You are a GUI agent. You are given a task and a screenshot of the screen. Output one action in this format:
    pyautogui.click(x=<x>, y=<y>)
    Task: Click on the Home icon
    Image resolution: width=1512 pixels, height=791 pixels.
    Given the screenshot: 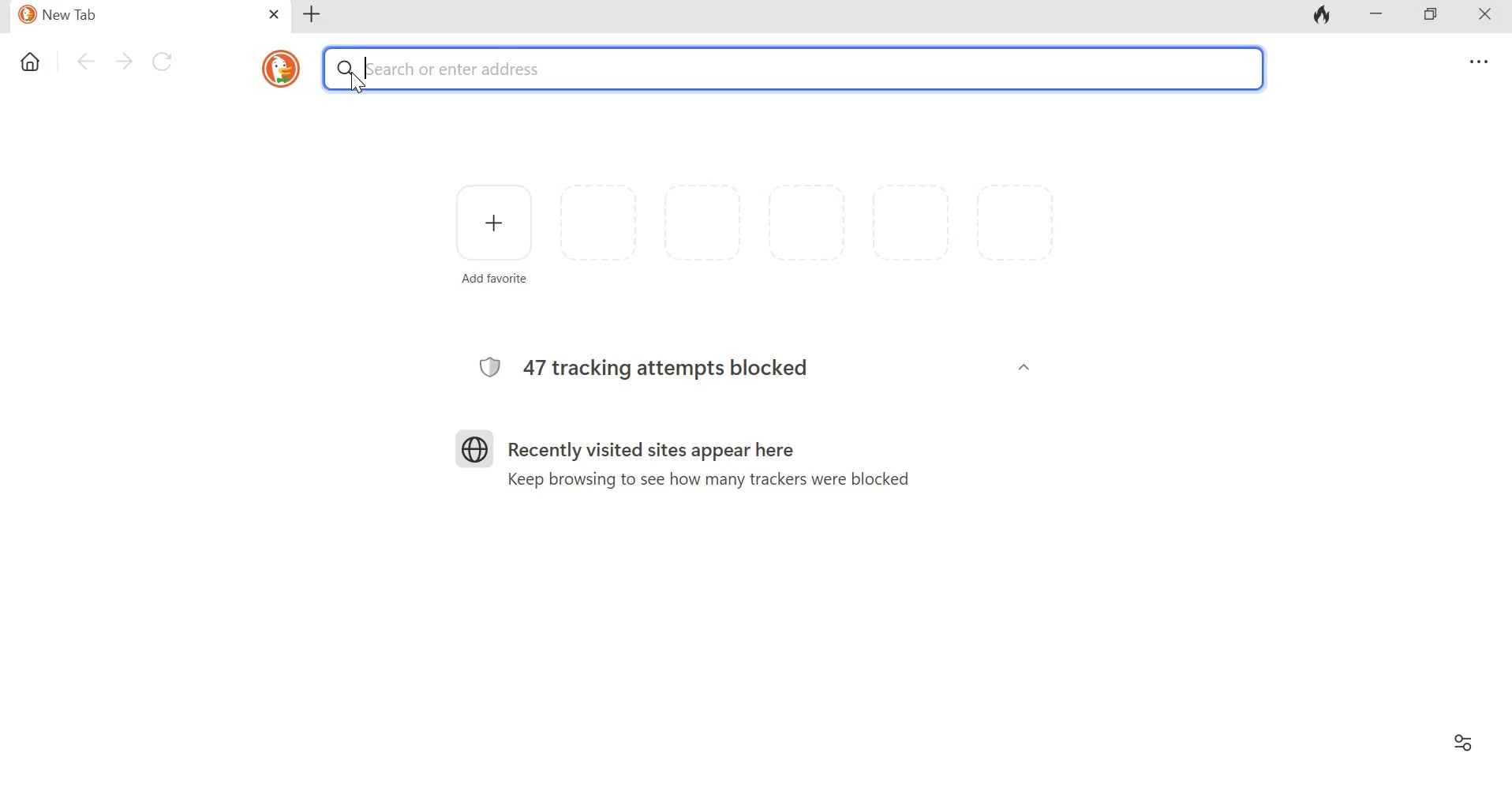 What is the action you would take?
    pyautogui.click(x=29, y=64)
    